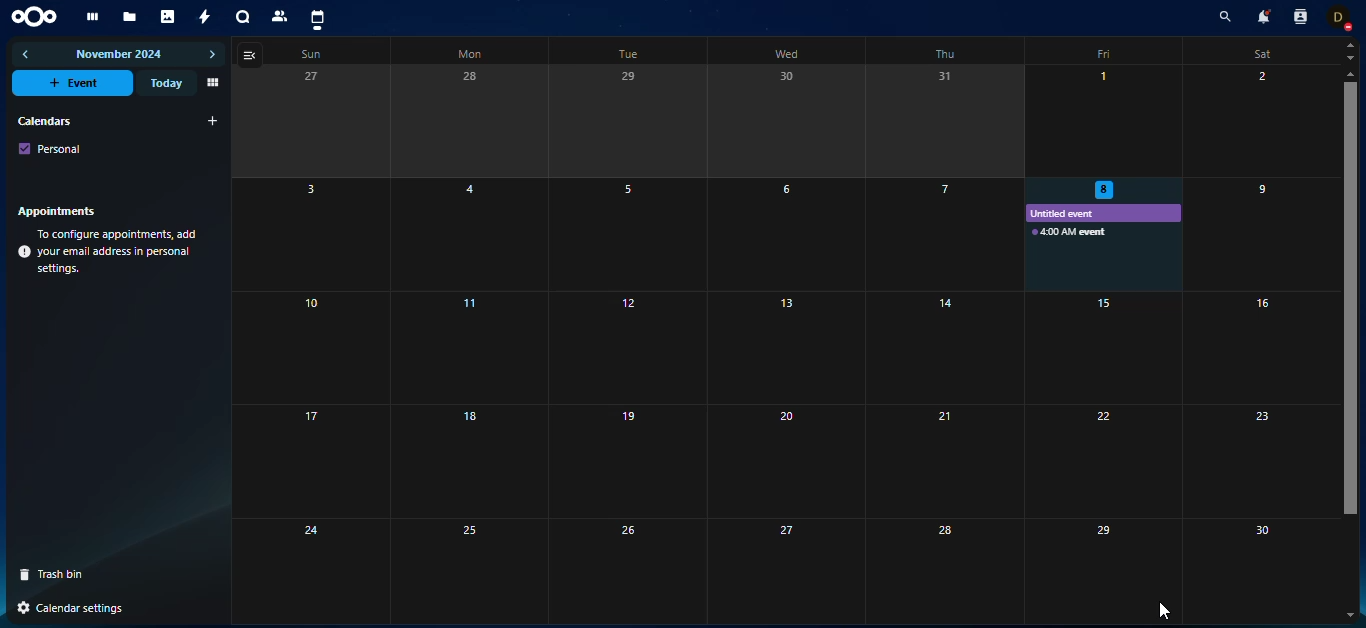 Image resolution: width=1366 pixels, height=628 pixels. What do you see at coordinates (286, 348) in the screenshot?
I see `10` at bounding box center [286, 348].